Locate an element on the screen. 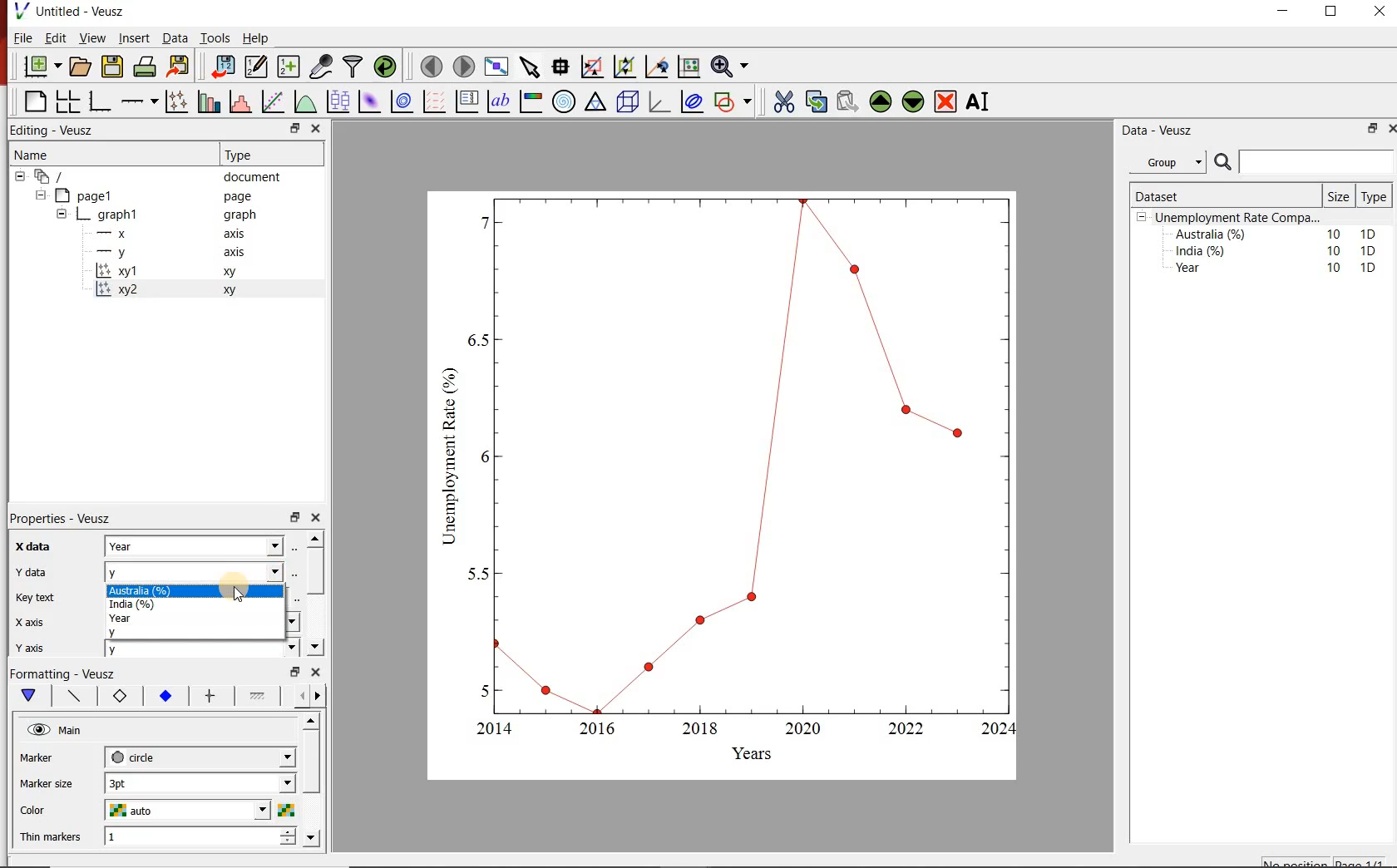 This screenshot has width=1397, height=868. image color bar is located at coordinates (531, 102).